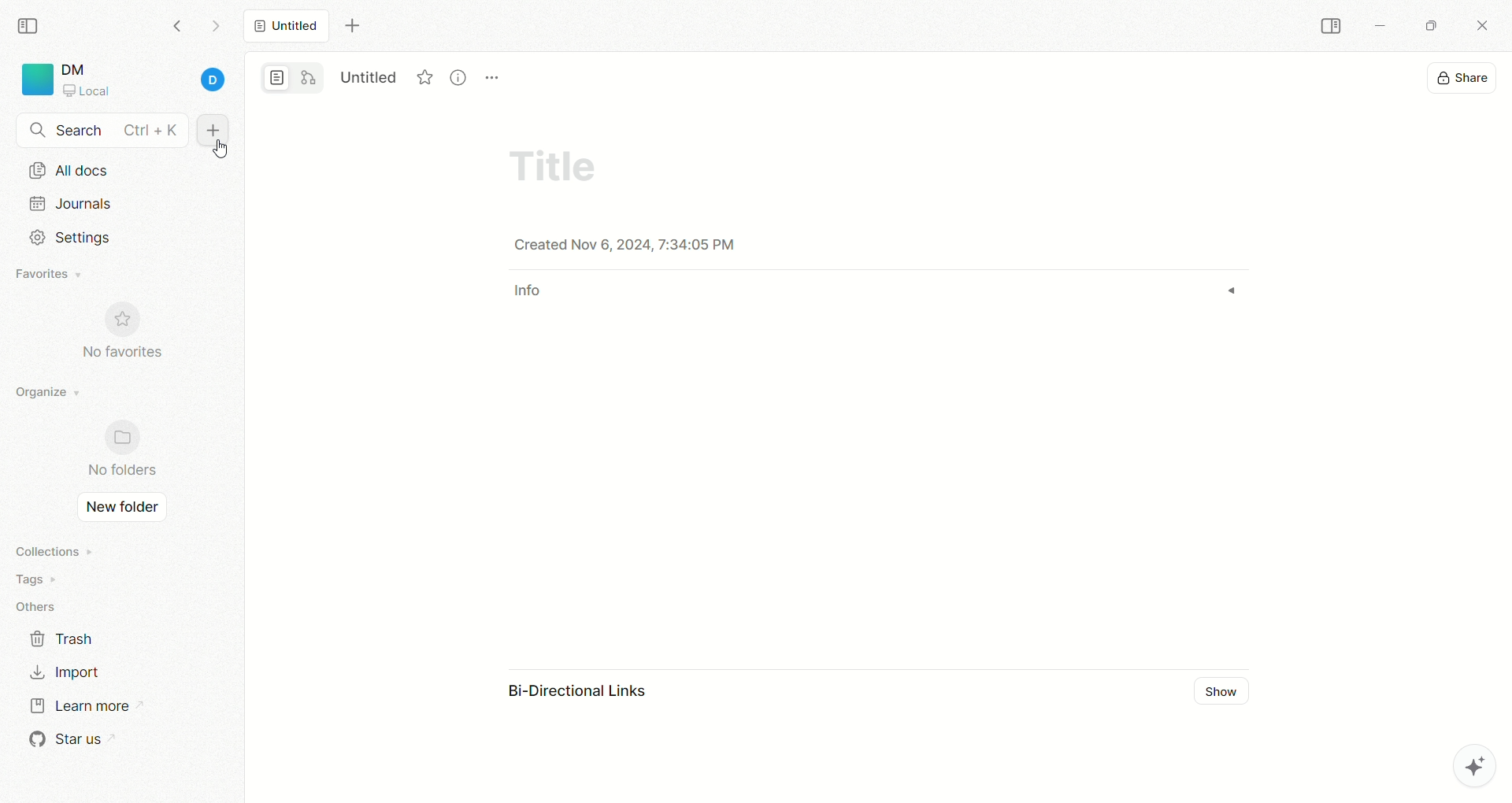 The height and width of the screenshot is (803, 1512). What do you see at coordinates (32, 24) in the screenshot?
I see `collapse sidebar` at bounding box center [32, 24].